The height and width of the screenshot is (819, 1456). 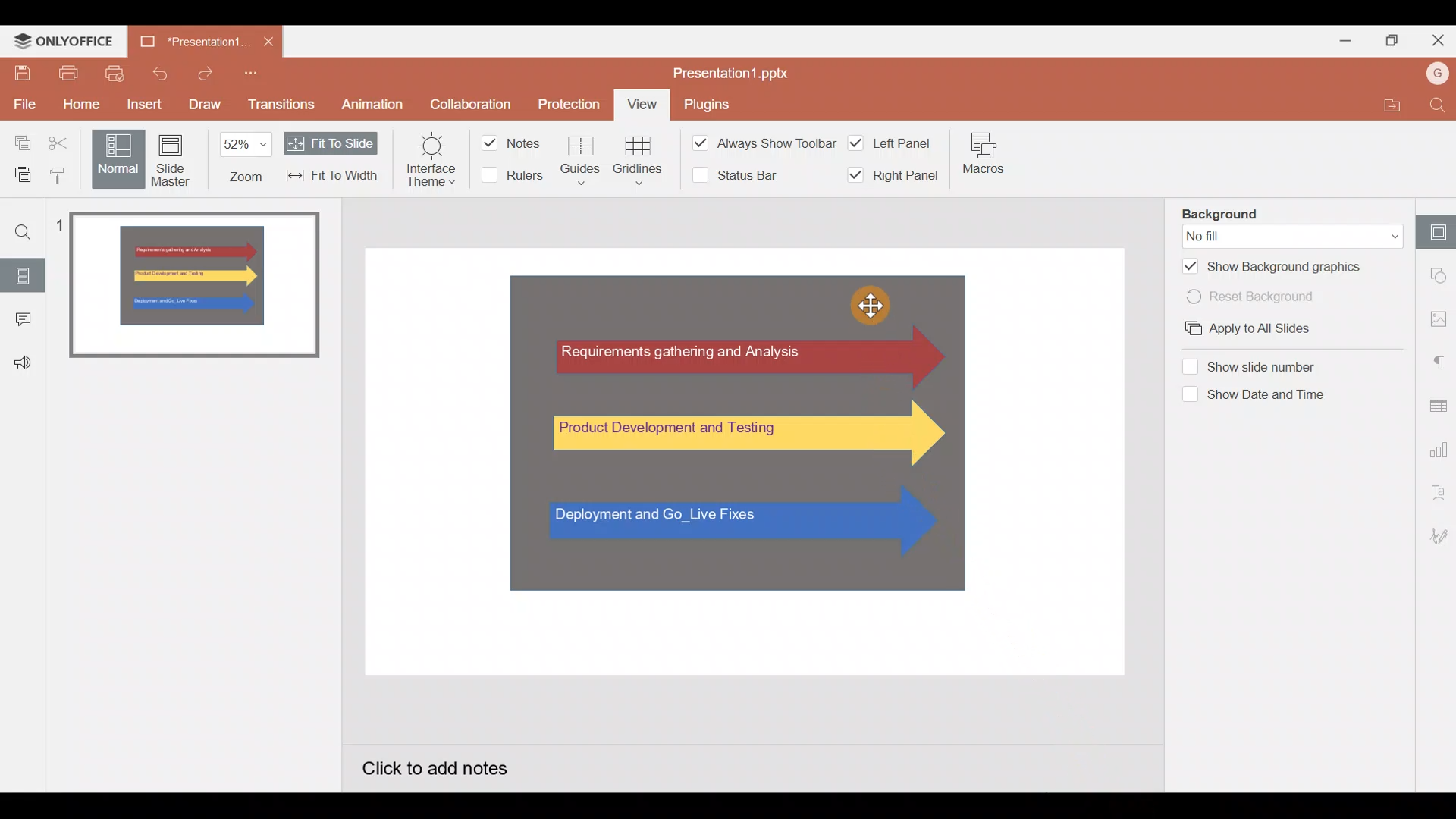 What do you see at coordinates (18, 71) in the screenshot?
I see `Save` at bounding box center [18, 71].